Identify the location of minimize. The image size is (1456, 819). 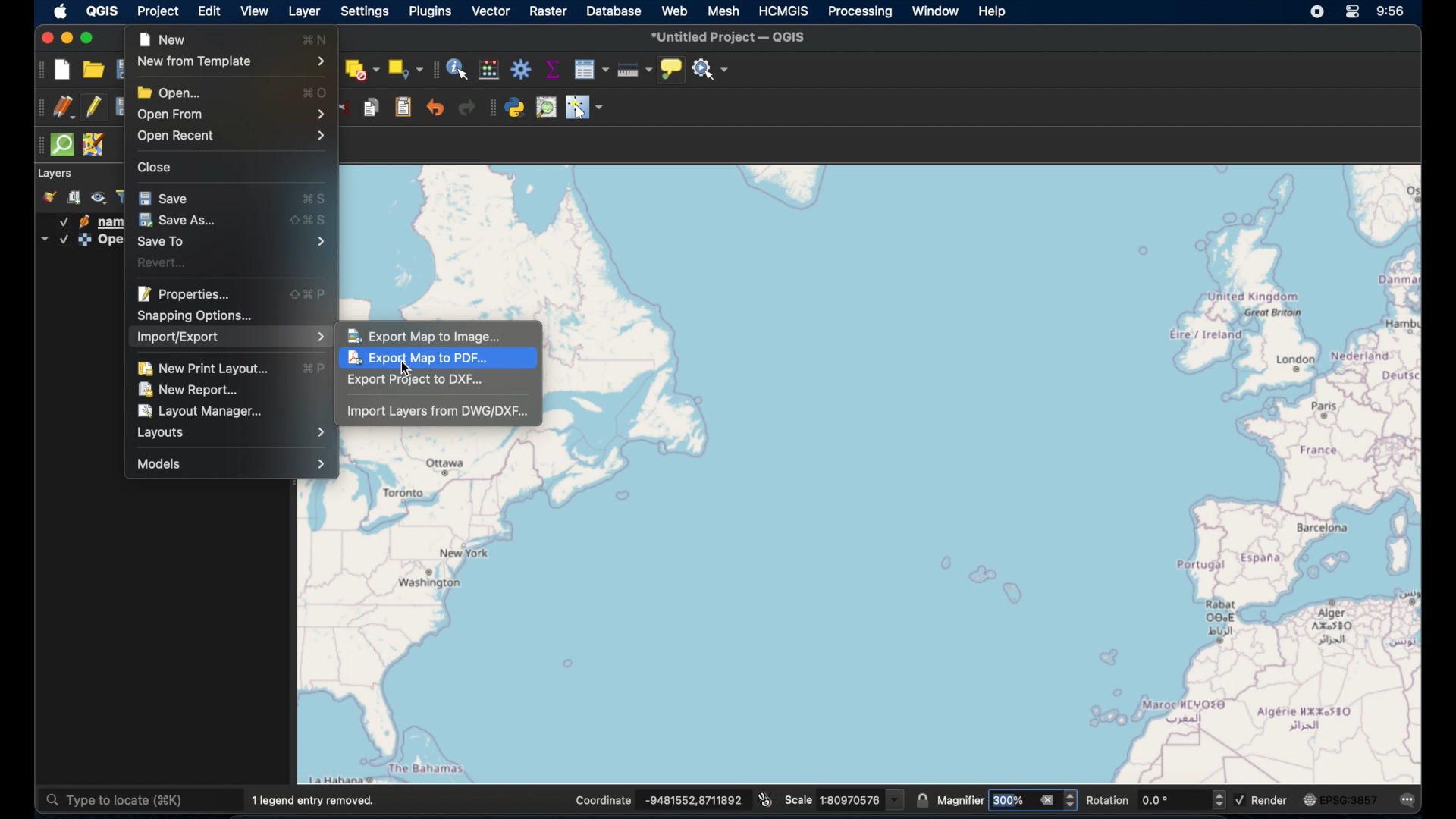
(67, 39).